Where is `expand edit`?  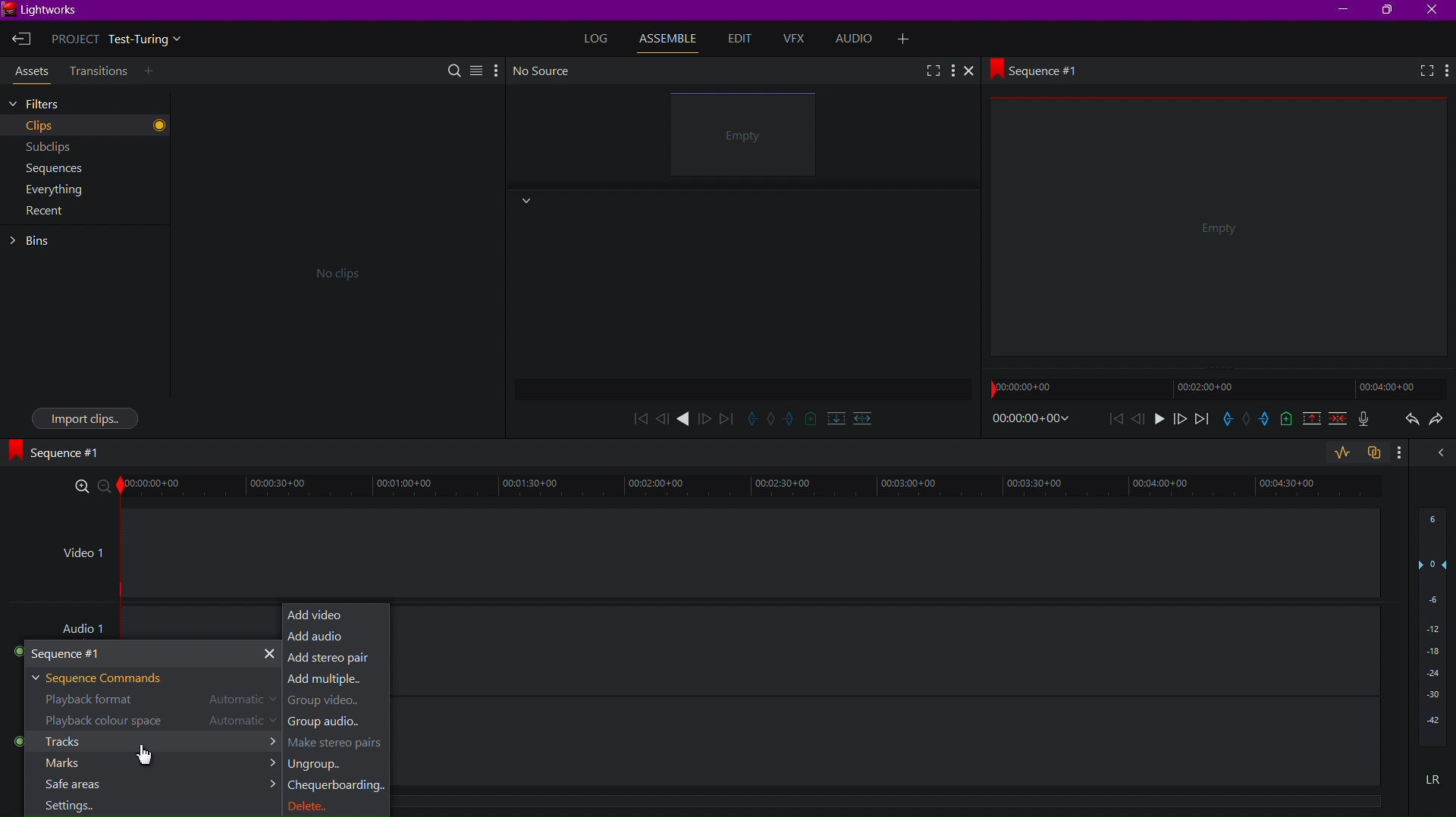 expand edit is located at coordinates (752, 418).